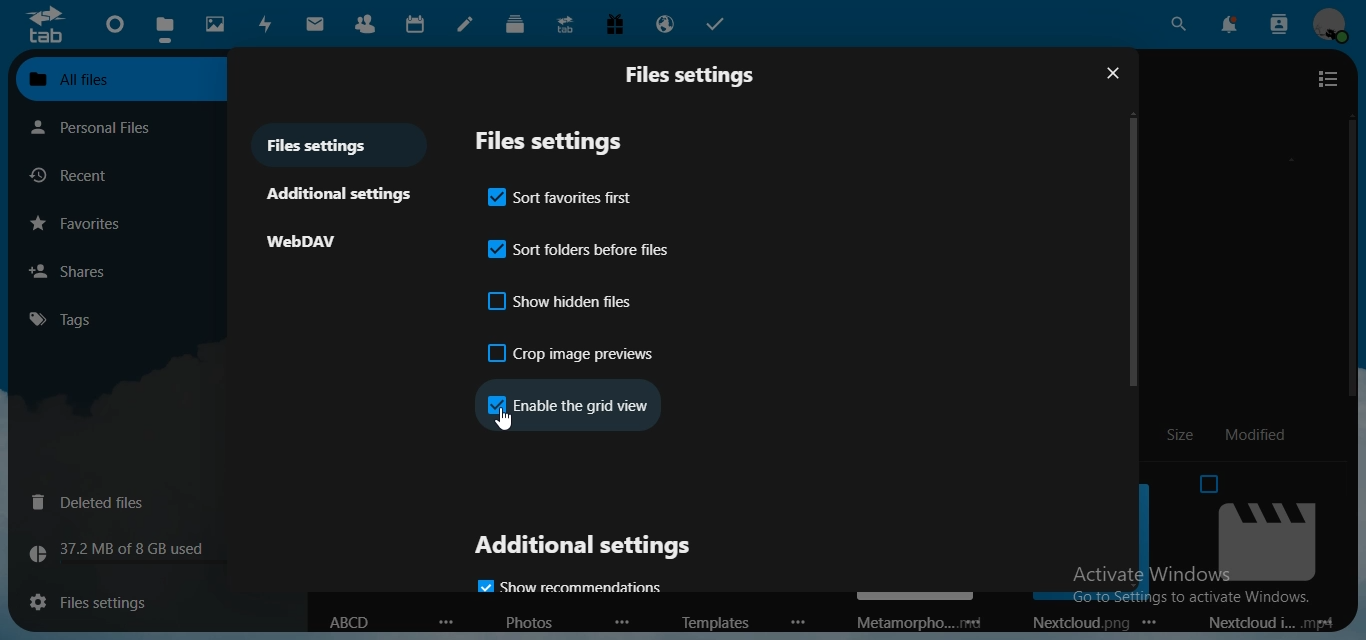 The height and width of the screenshot is (640, 1366). I want to click on dashboard, so click(114, 29).